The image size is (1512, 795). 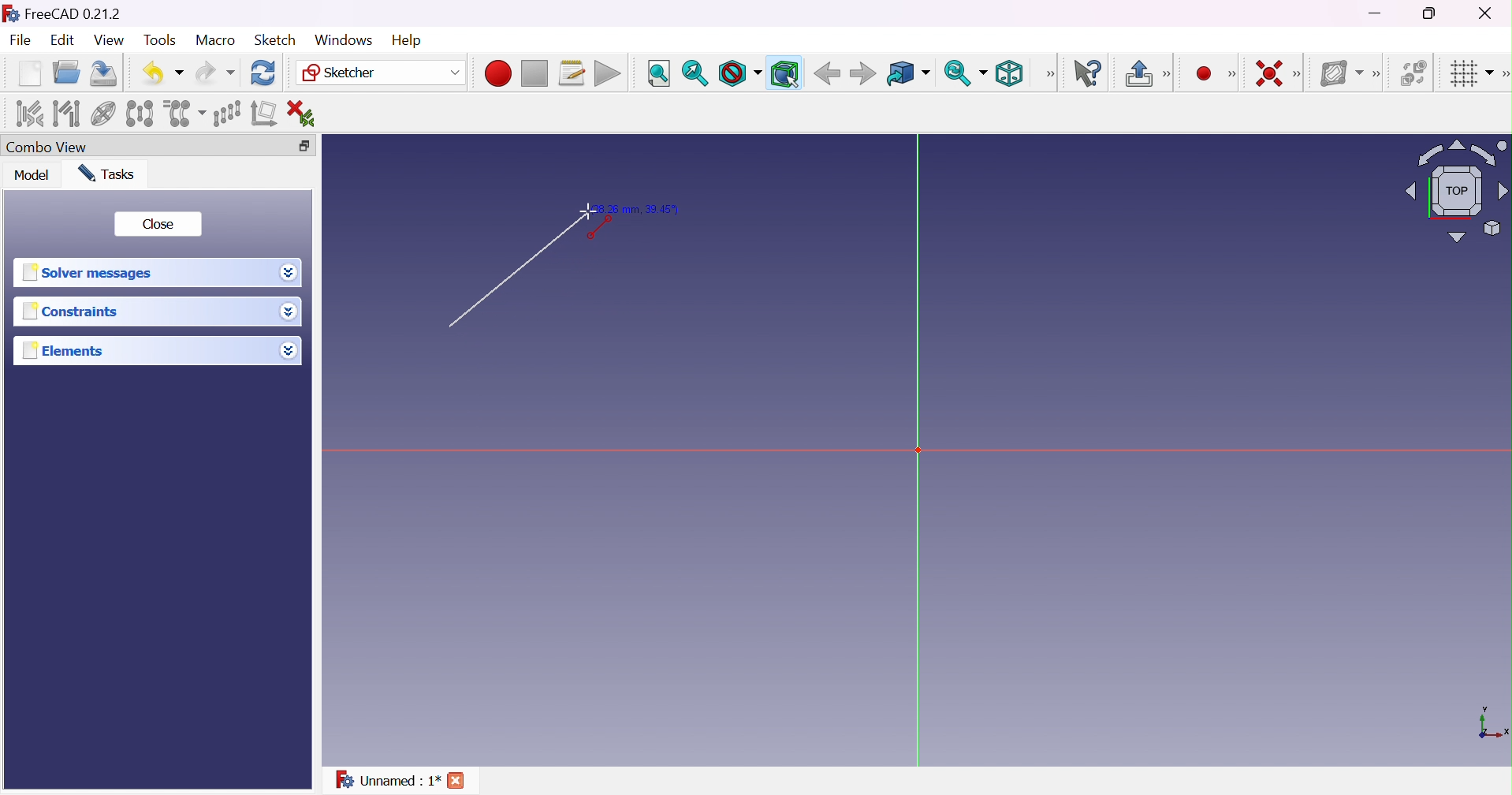 I want to click on [Sketcher constraints], so click(x=1300, y=74).